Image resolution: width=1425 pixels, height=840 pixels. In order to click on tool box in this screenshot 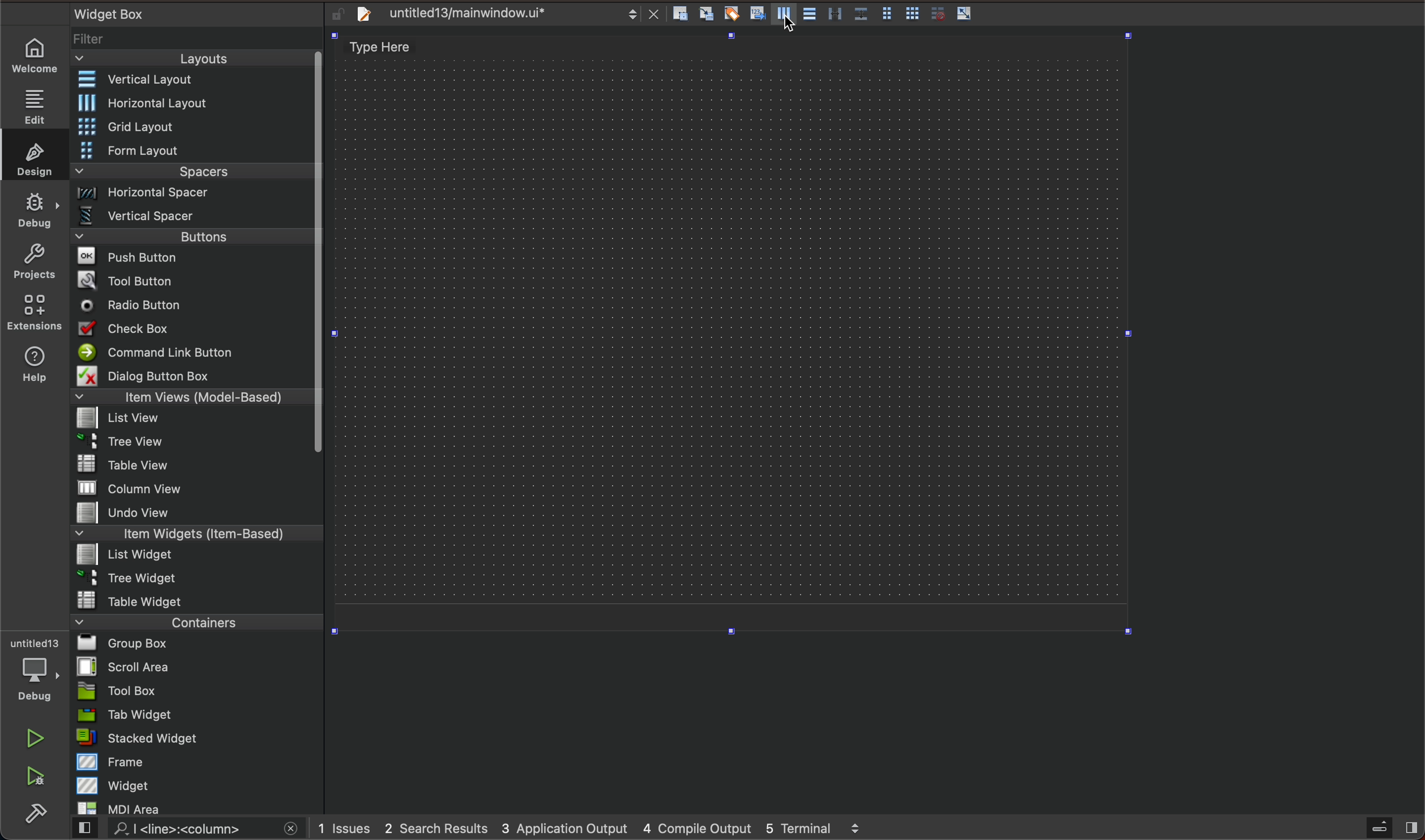, I will do `click(192, 691)`.